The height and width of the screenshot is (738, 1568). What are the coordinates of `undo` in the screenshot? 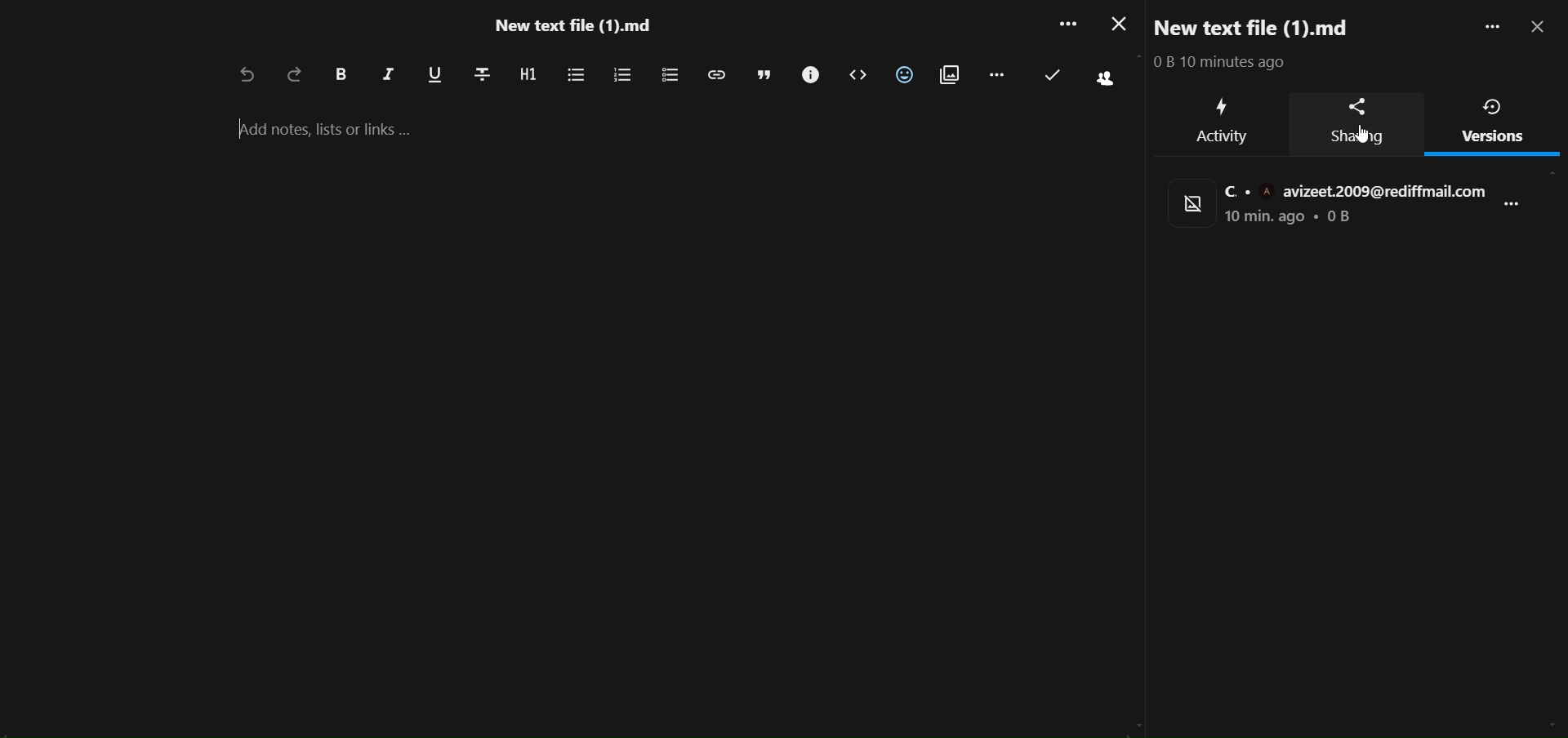 It's located at (243, 77).